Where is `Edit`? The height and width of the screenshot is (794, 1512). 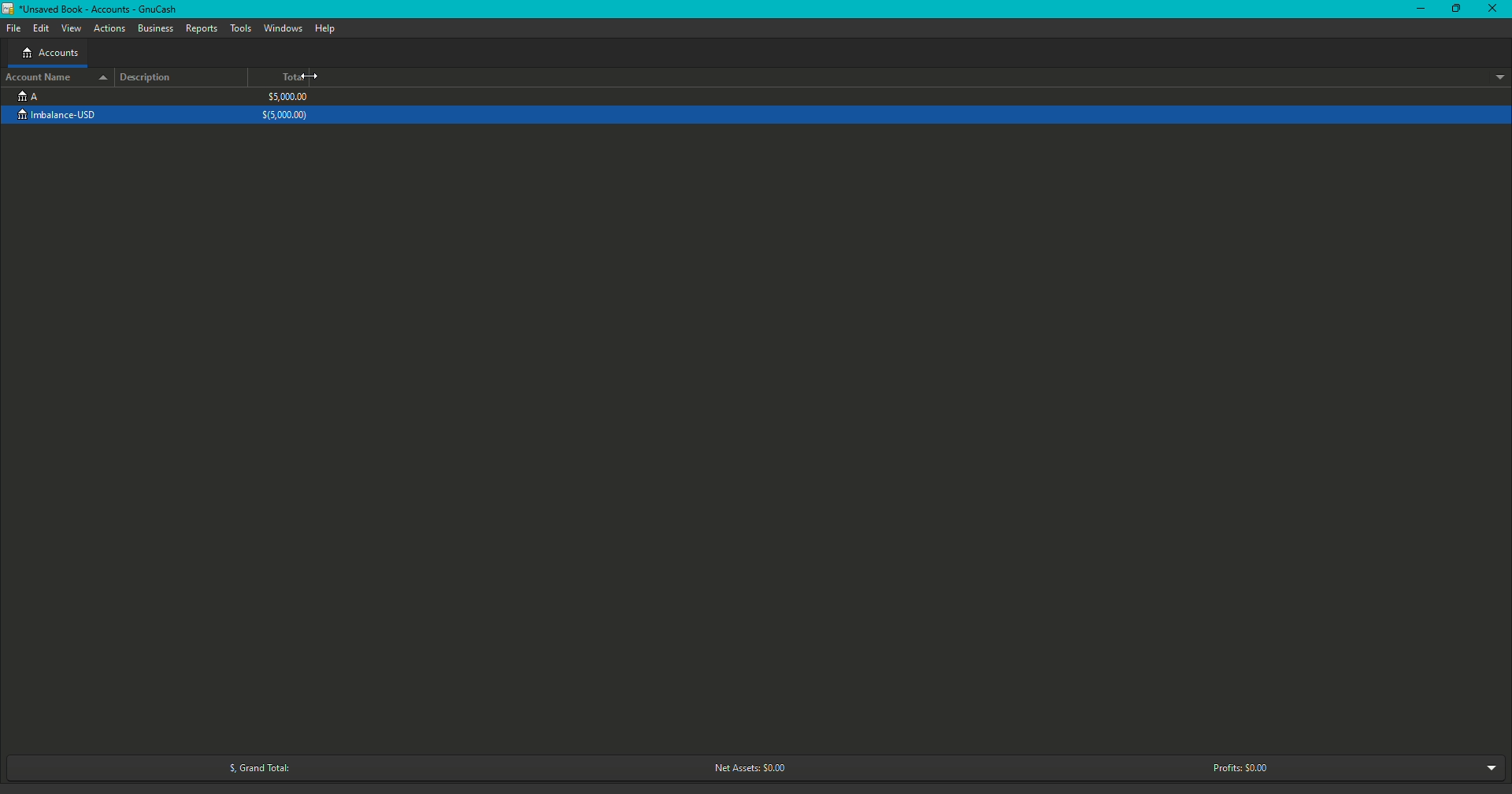 Edit is located at coordinates (41, 29).